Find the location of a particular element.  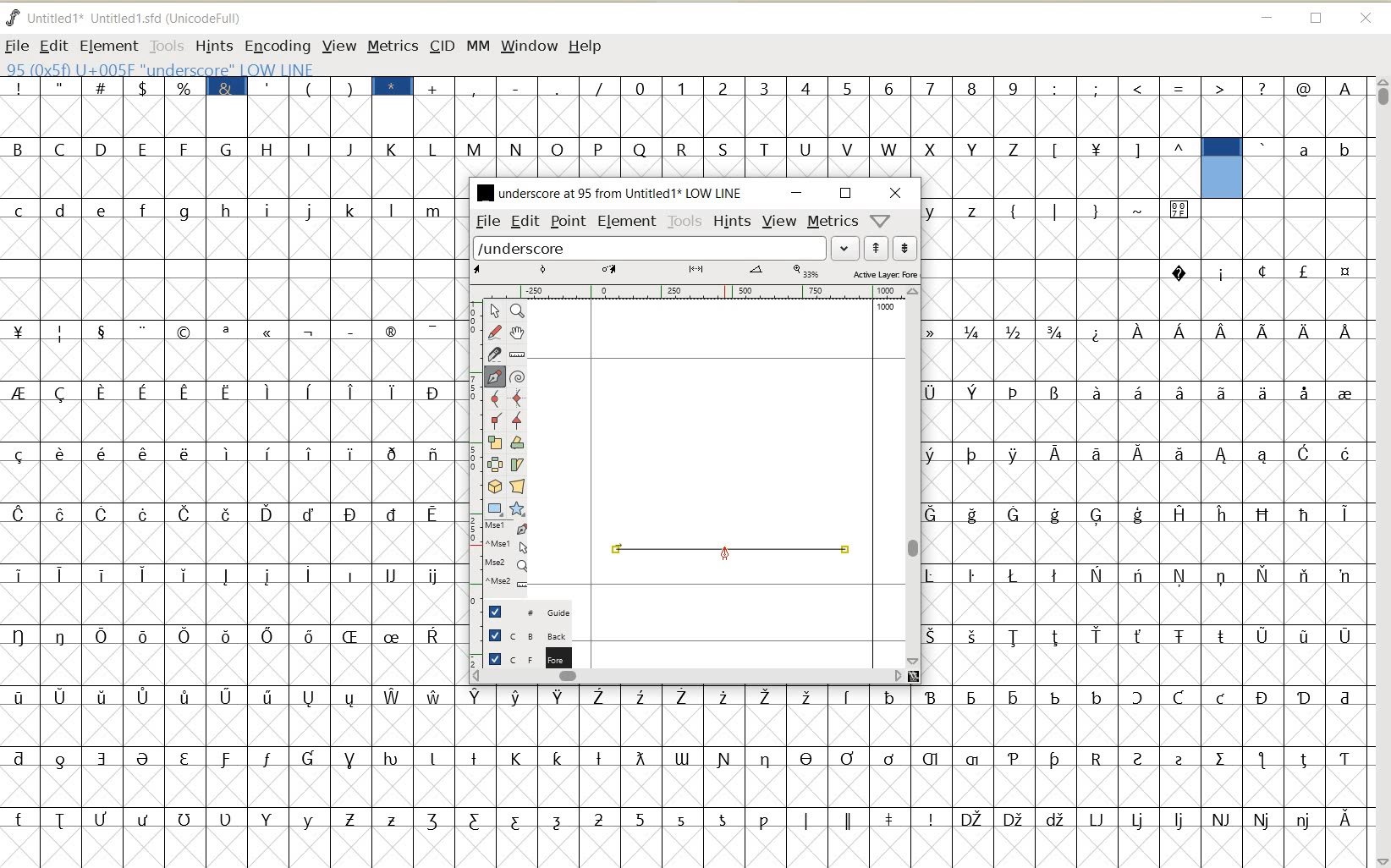

VIEW is located at coordinates (779, 219).